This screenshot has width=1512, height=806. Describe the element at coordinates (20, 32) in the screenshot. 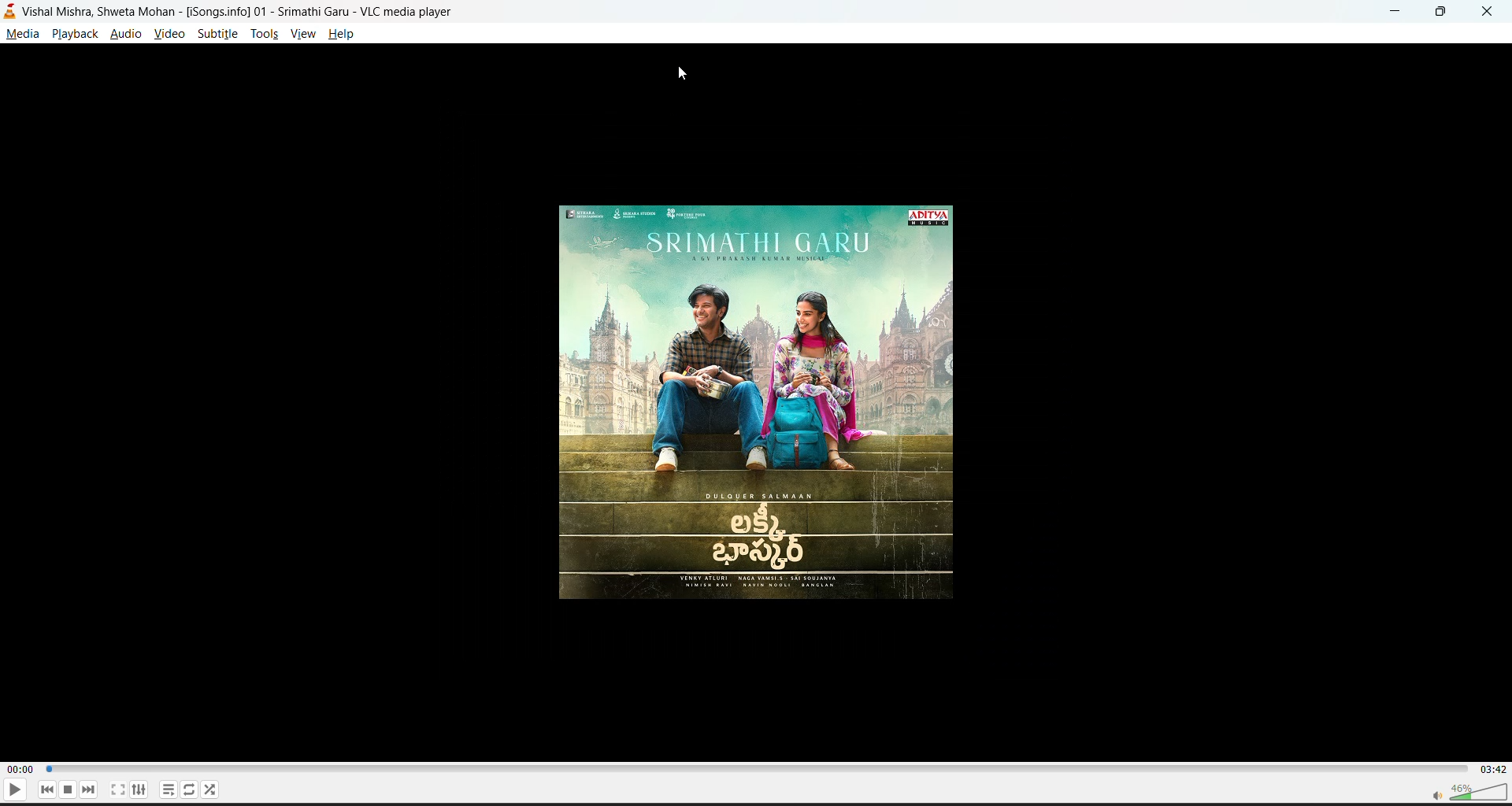

I see `media` at that location.